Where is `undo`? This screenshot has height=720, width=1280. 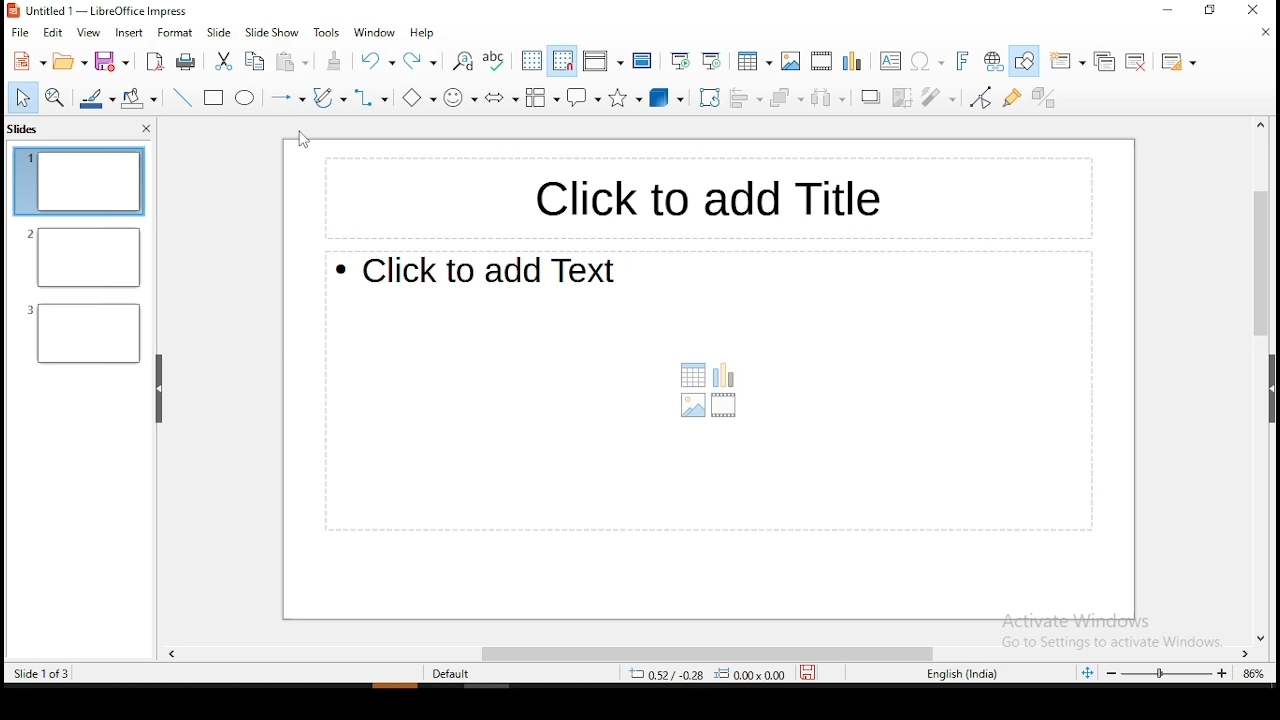 undo is located at coordinates (378, 63).